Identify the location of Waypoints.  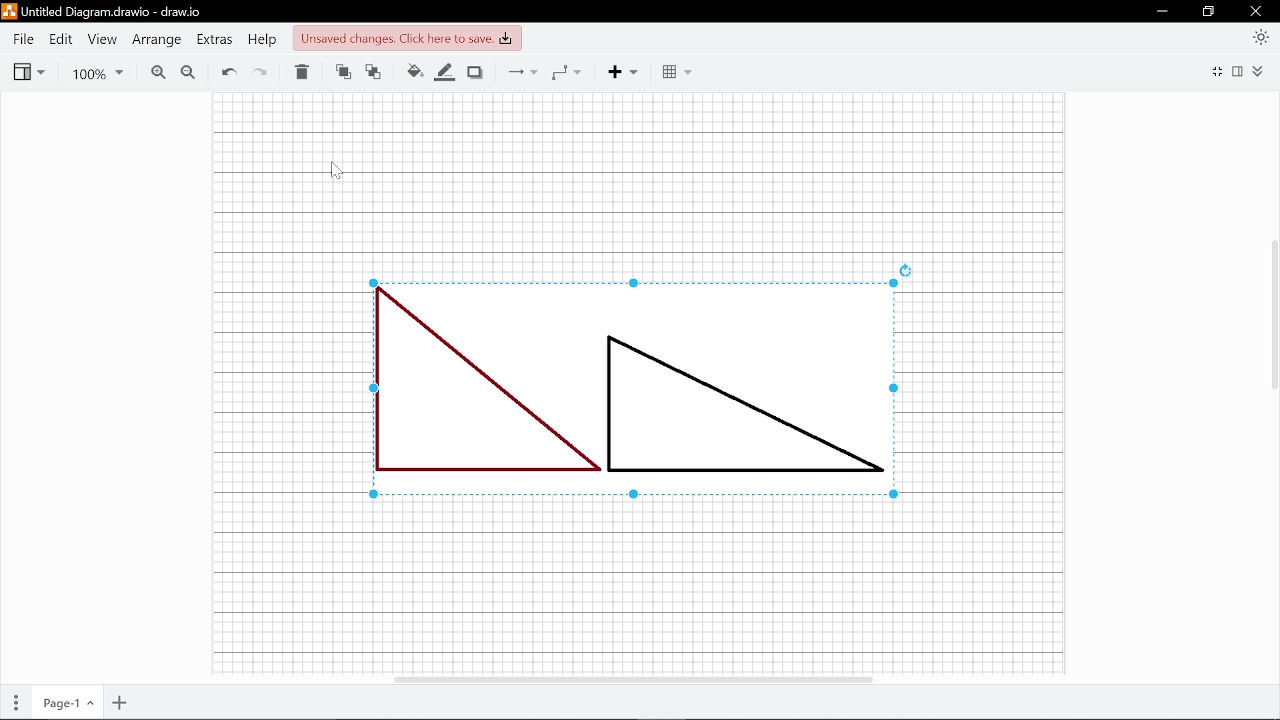
(565, 74).